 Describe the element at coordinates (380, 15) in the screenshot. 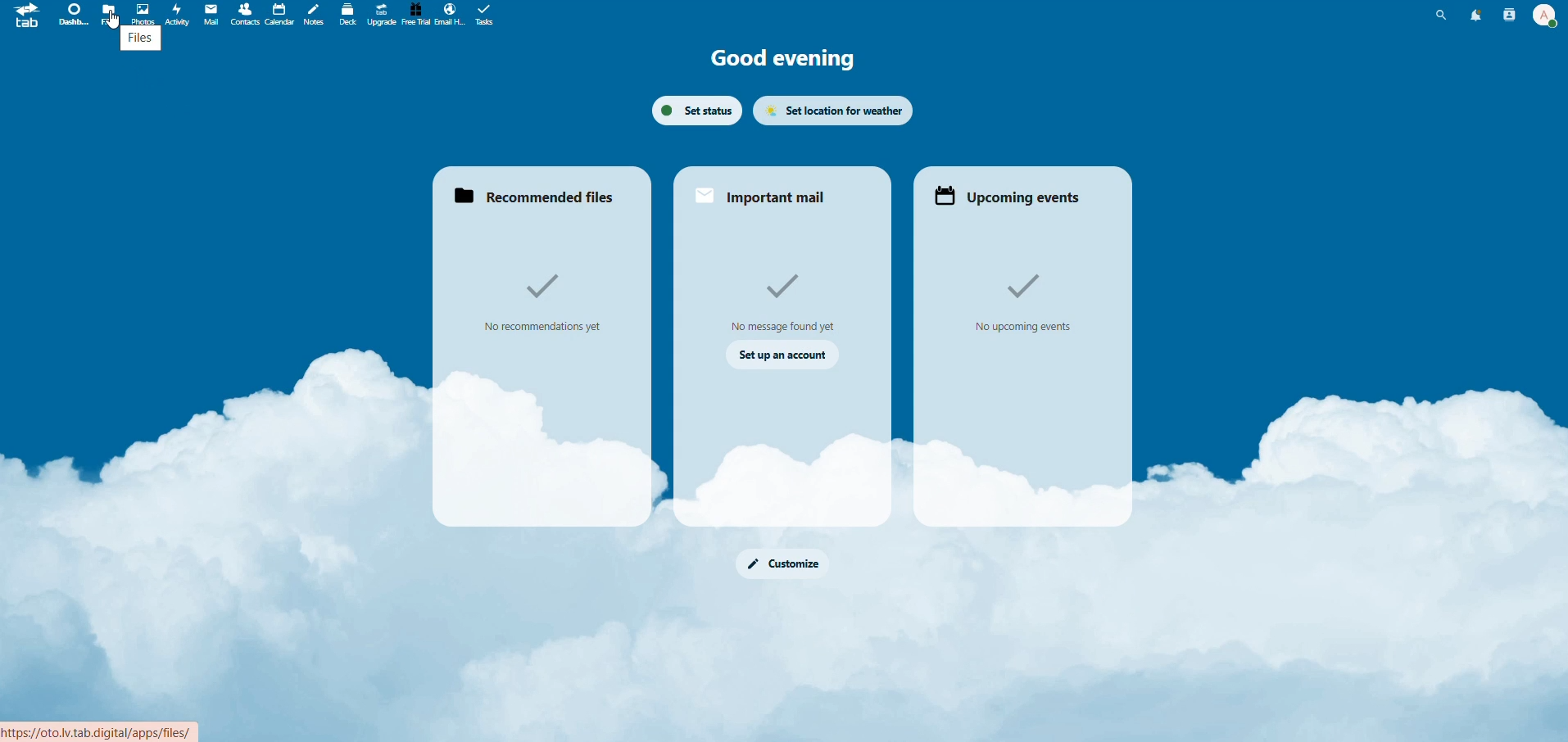

I see `Upgrade` at that location.